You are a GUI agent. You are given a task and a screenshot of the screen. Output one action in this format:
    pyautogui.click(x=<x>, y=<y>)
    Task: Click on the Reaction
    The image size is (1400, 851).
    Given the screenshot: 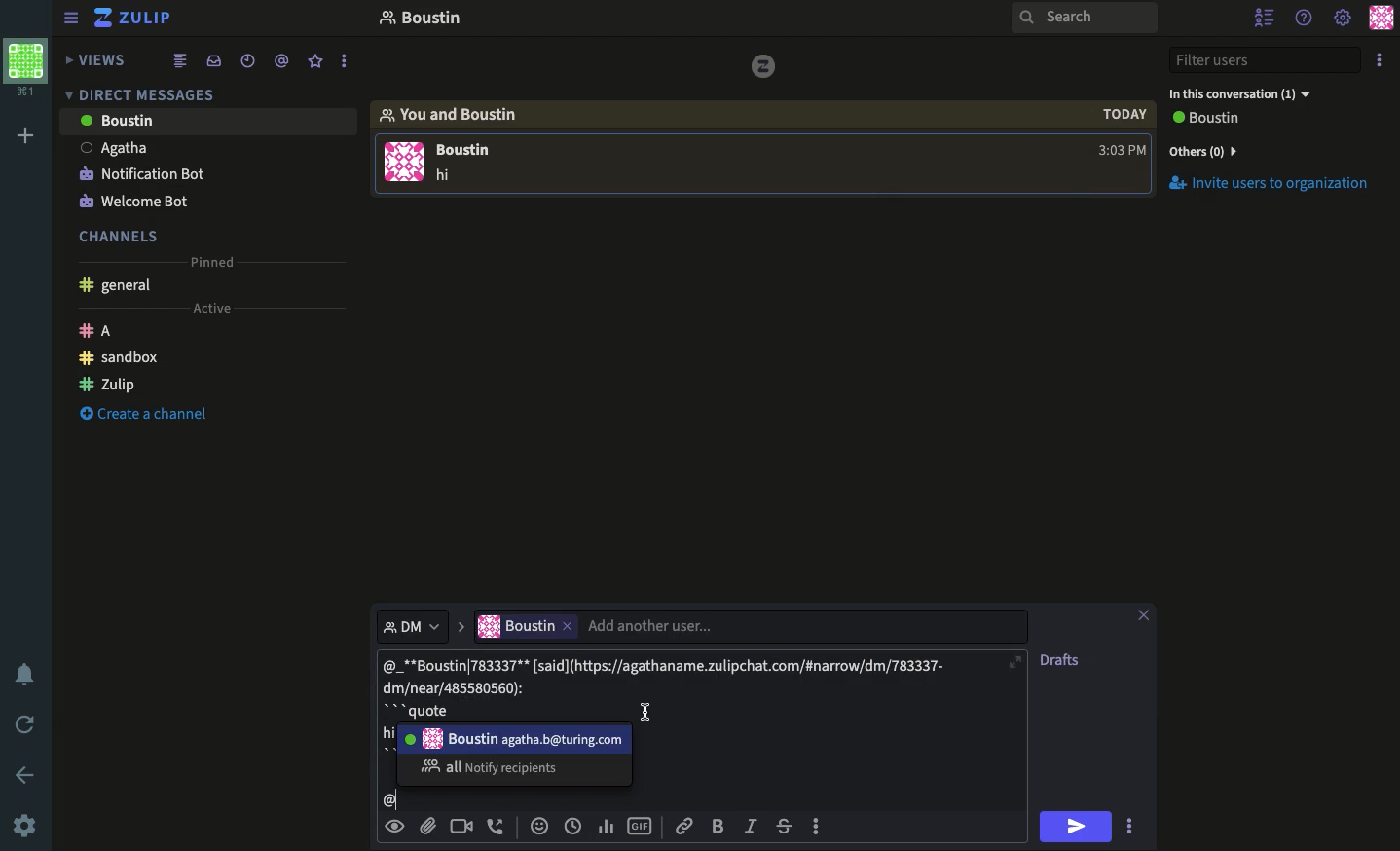 What is the action you would take?
    pyautogui.click(x=539, y=828)
    